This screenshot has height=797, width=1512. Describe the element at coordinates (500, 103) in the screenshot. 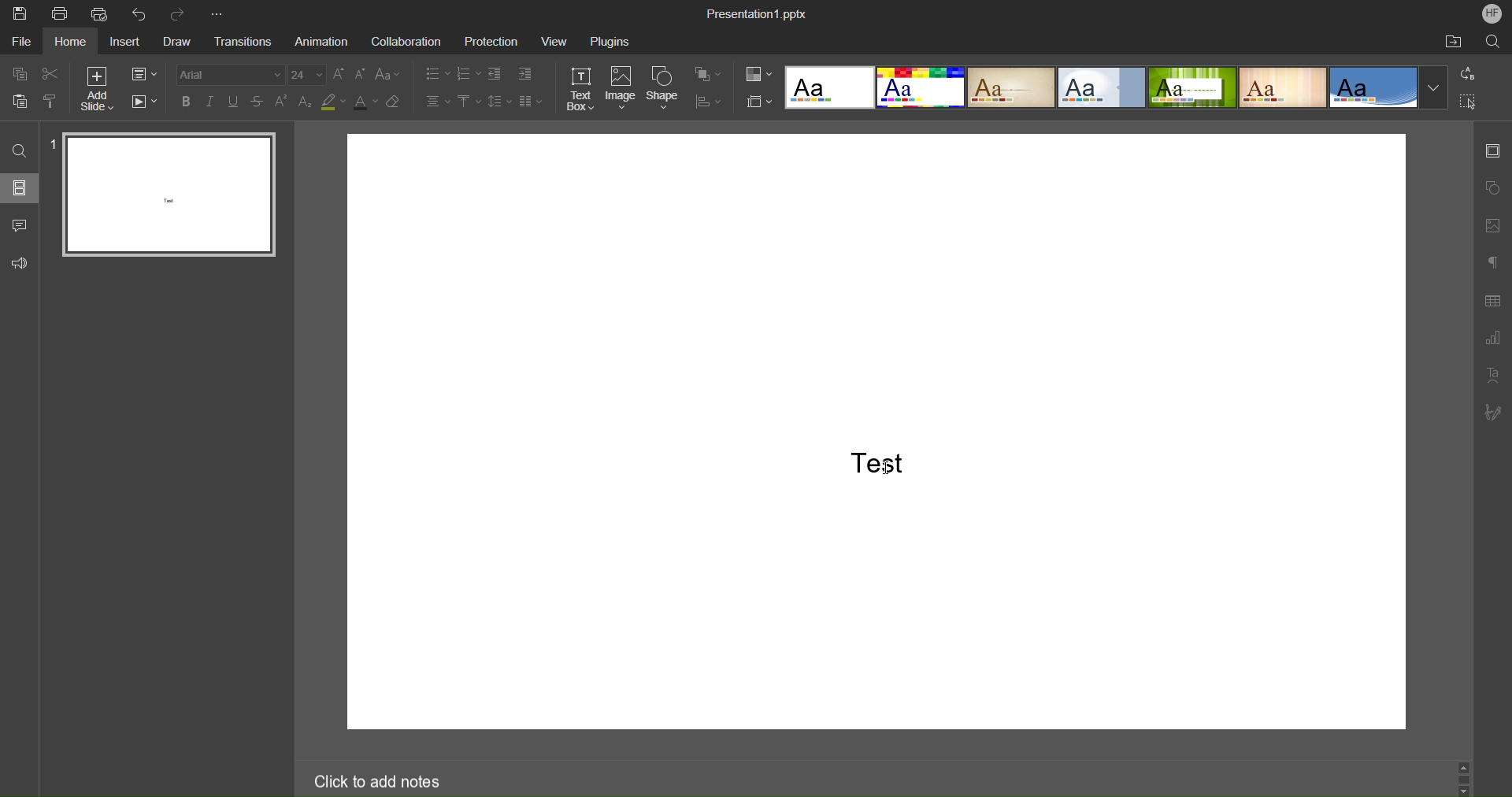

I see `Line Spacing` at that location.